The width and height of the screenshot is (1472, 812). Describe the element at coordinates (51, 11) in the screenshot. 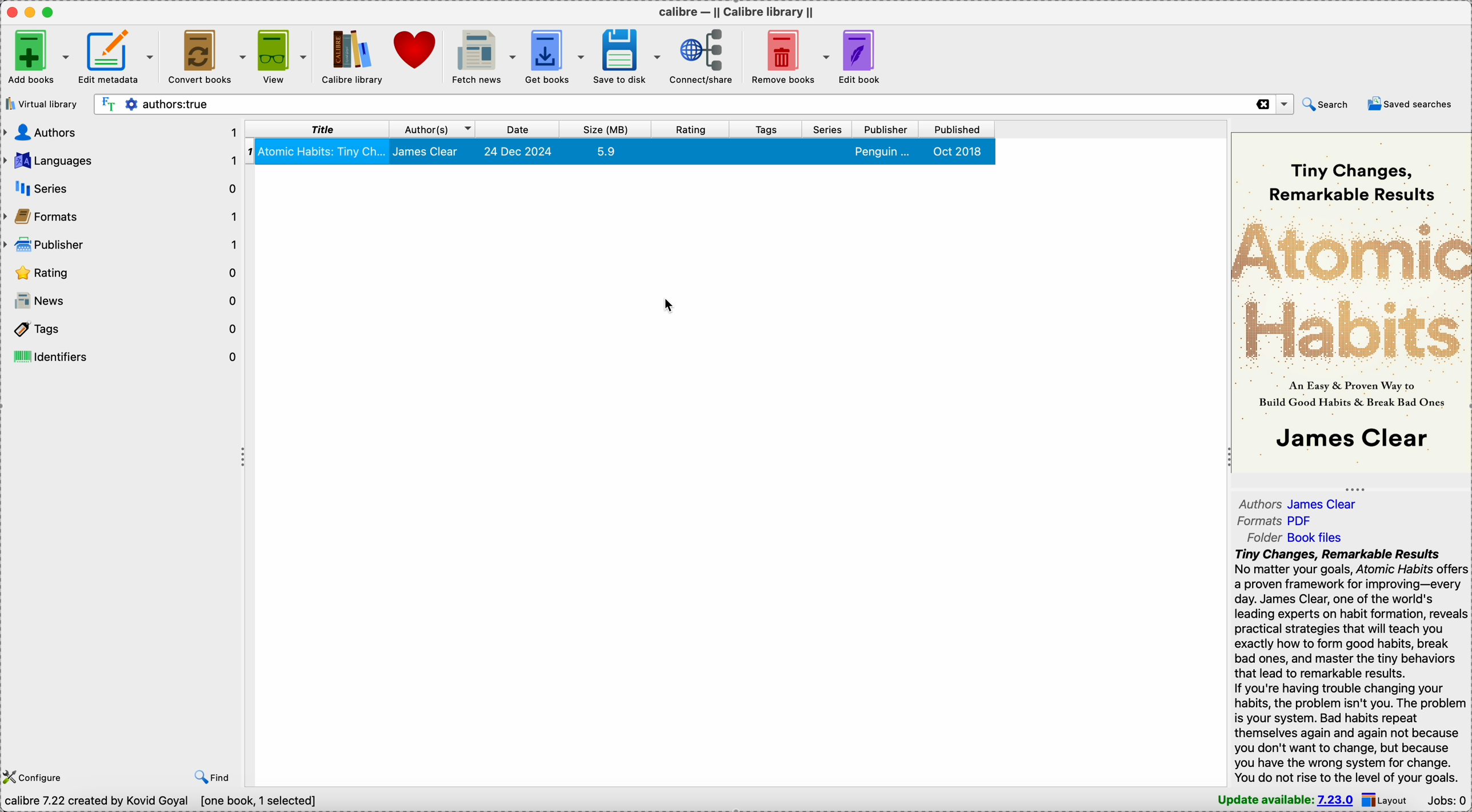

I see `maximize Calibre` at that location.